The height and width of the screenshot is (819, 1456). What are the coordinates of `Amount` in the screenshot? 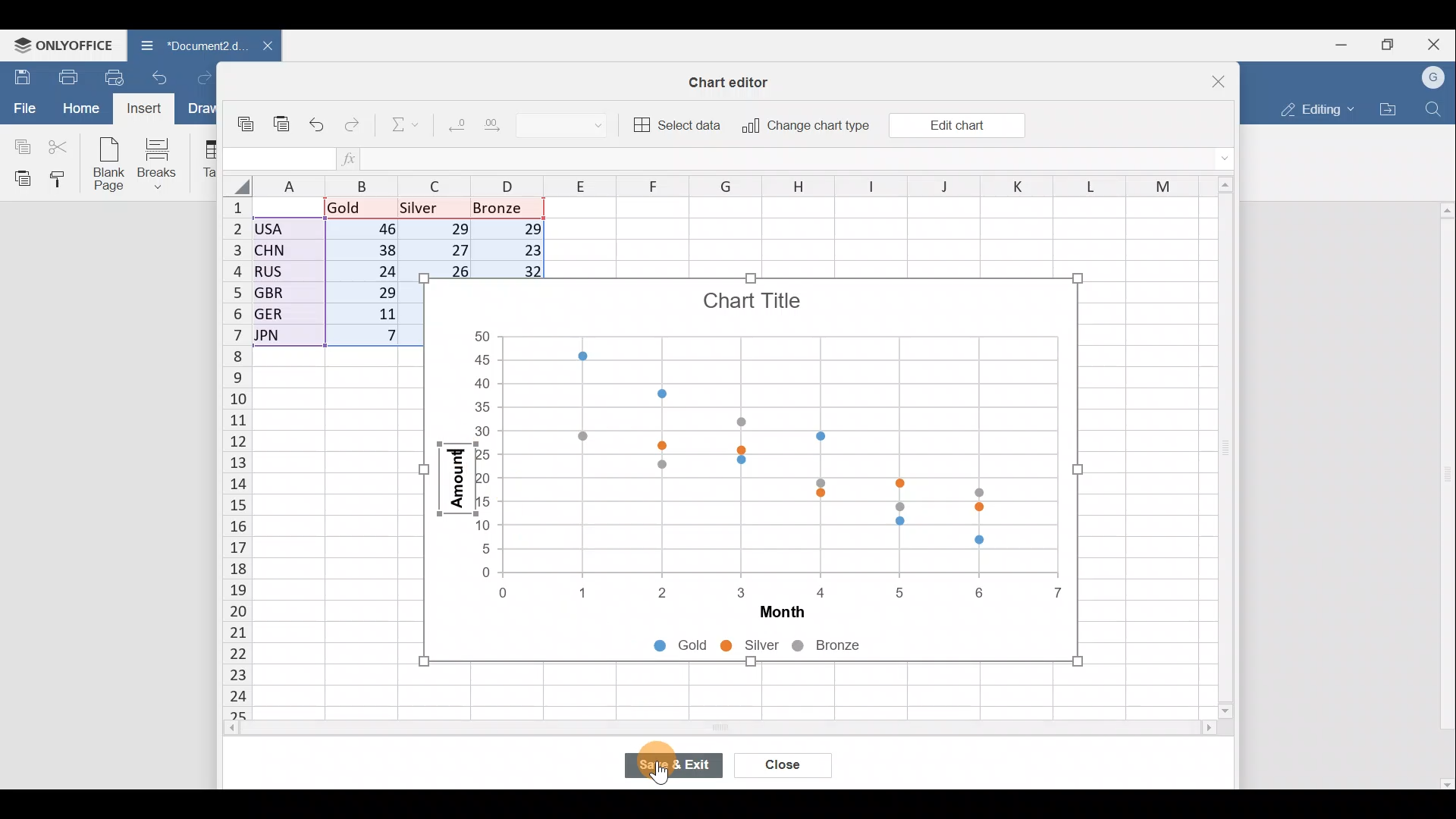 It's located at (452, 482).